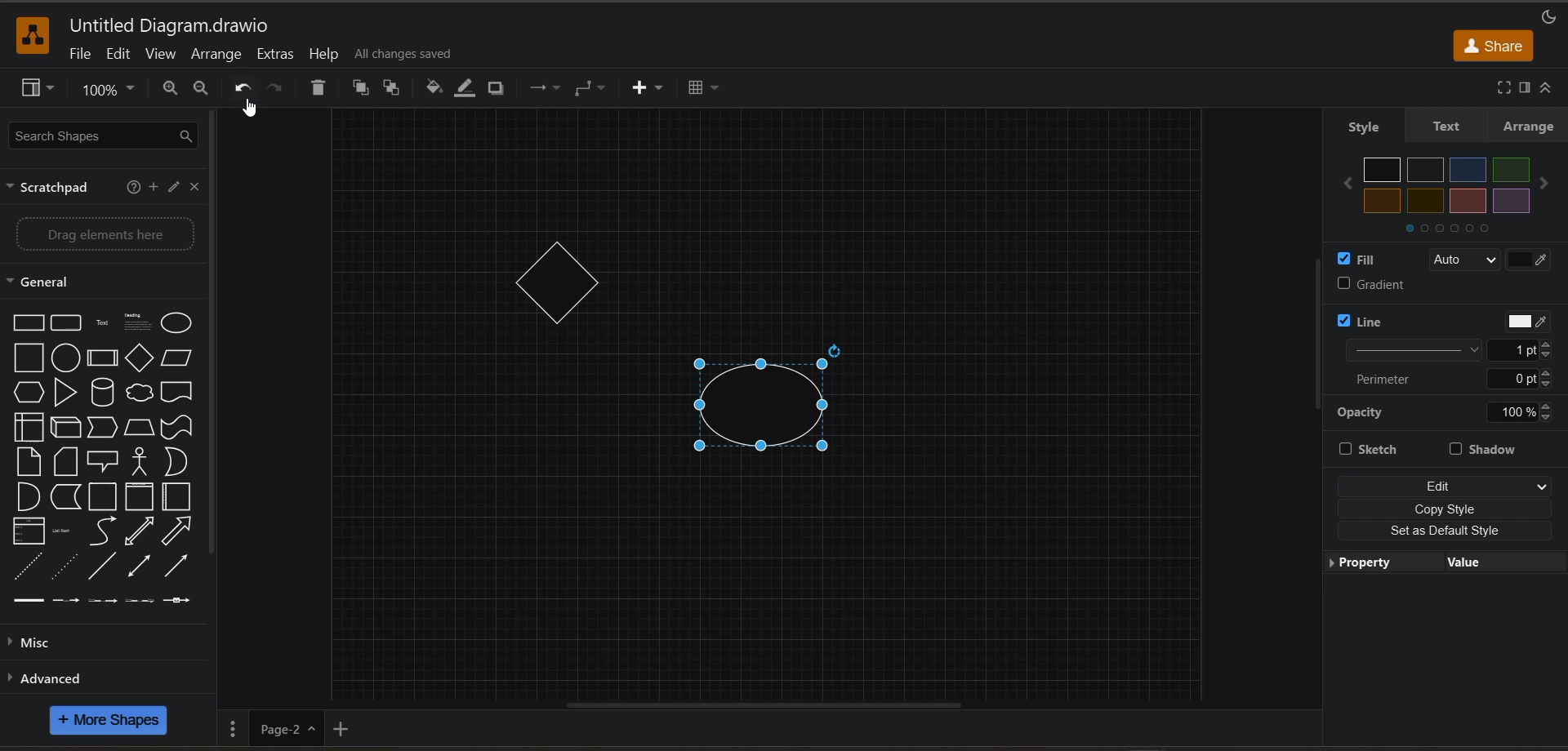 This screenshot has width=1568, height=751. Describe the element at coordinates (1469, 171) in the screenshot. I see `Color 3` at that location.